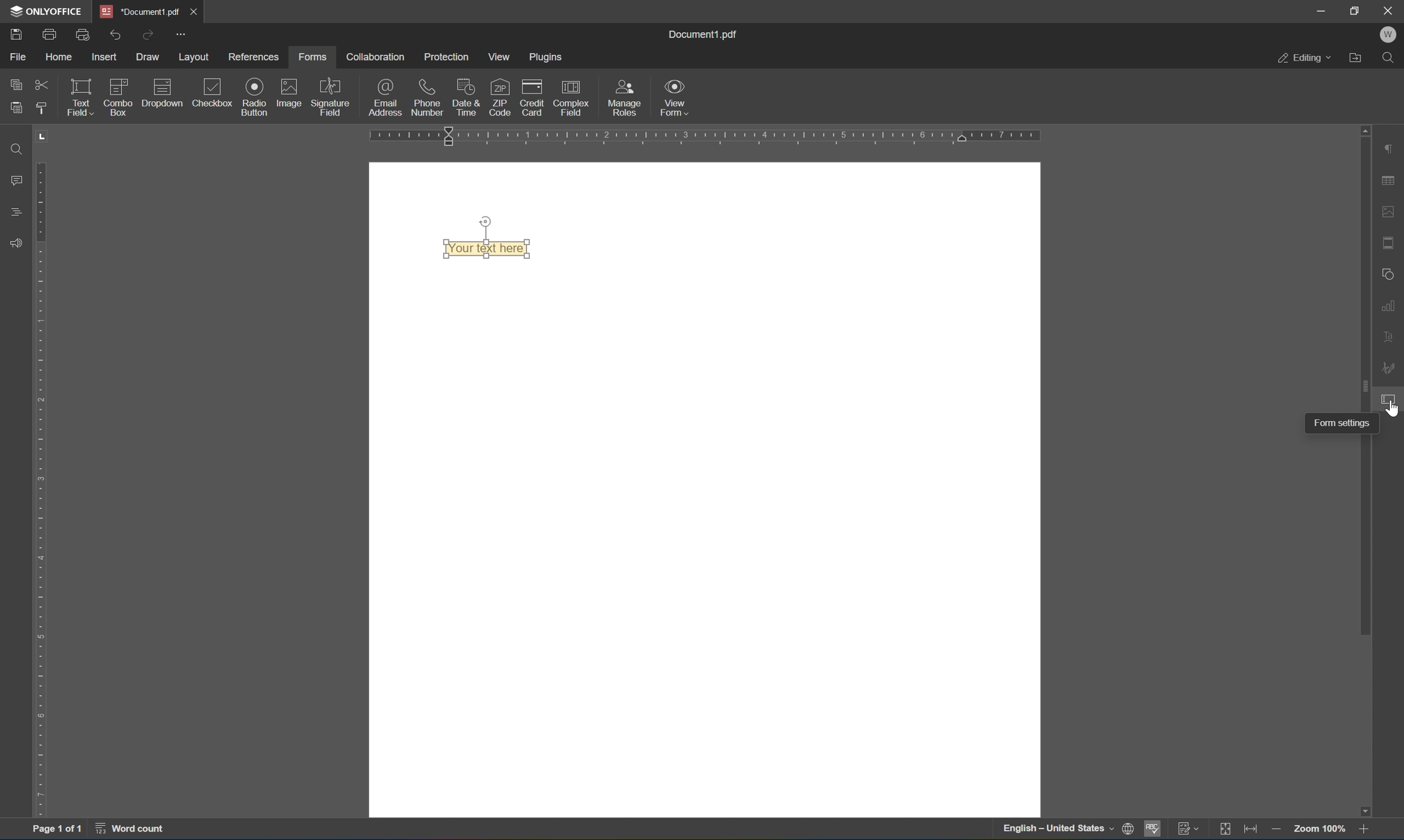 This screenshot has width=1404, height=840. Describe the element at coordinates (14, 149) in the screenshot. I see `find` at that location.